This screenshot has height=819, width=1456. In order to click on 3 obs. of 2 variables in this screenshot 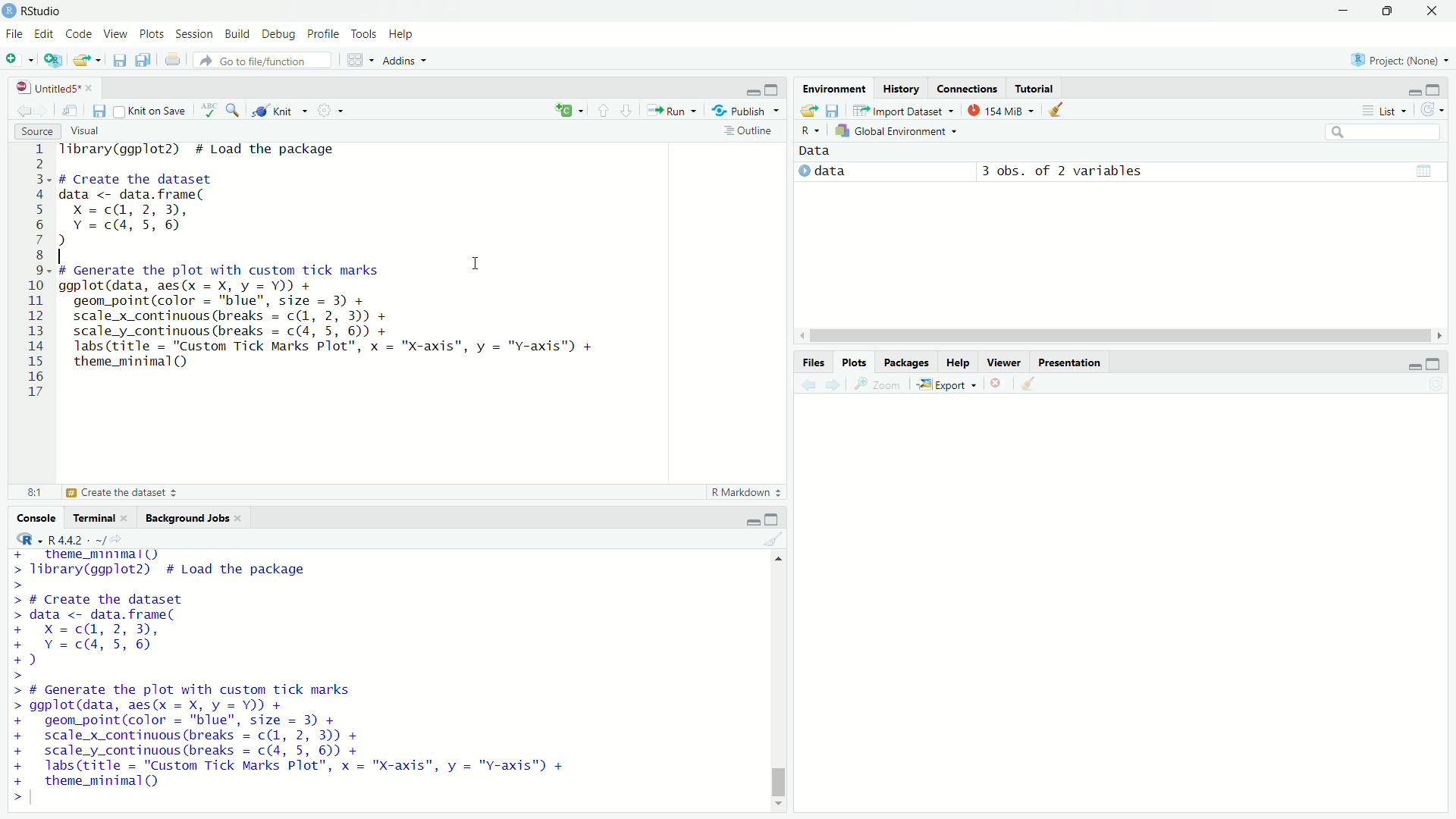, I will do `click(1068, 171)`.